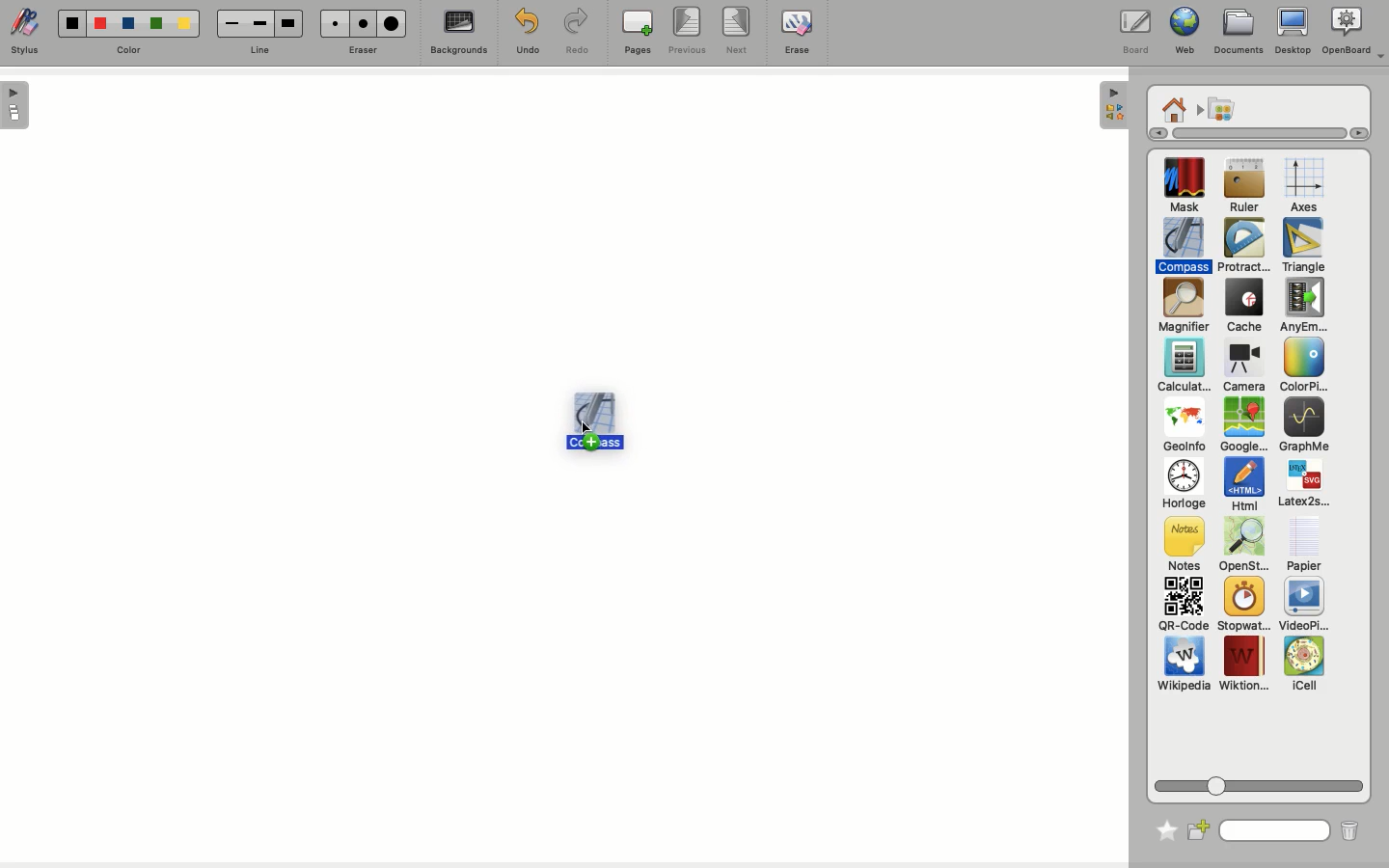  I want to click on Html, so click(1242, 486).